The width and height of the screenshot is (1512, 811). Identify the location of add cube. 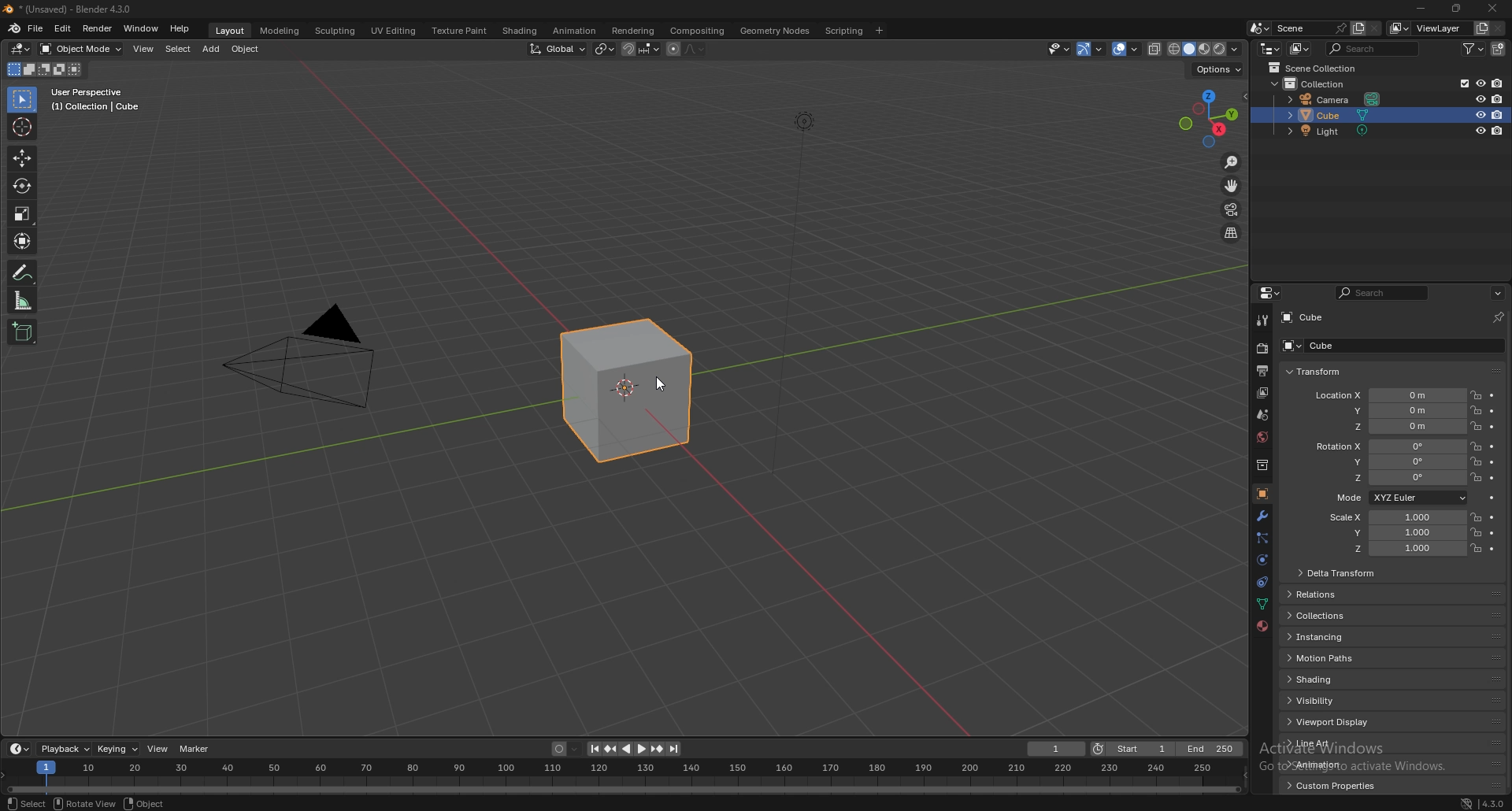
(24, 332).